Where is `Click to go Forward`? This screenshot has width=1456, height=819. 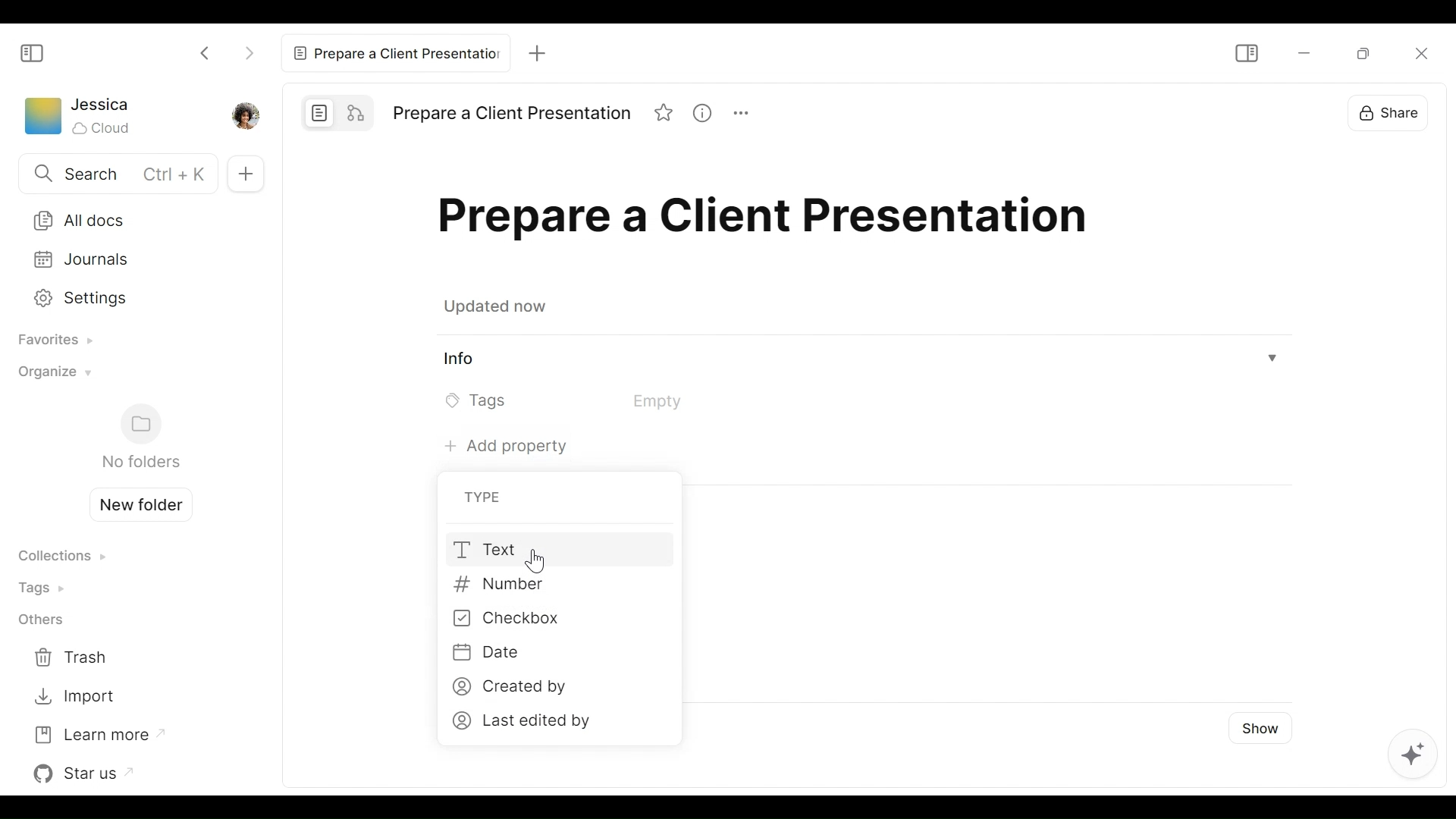 Click to go Forward is located at coordinates (249, 50).